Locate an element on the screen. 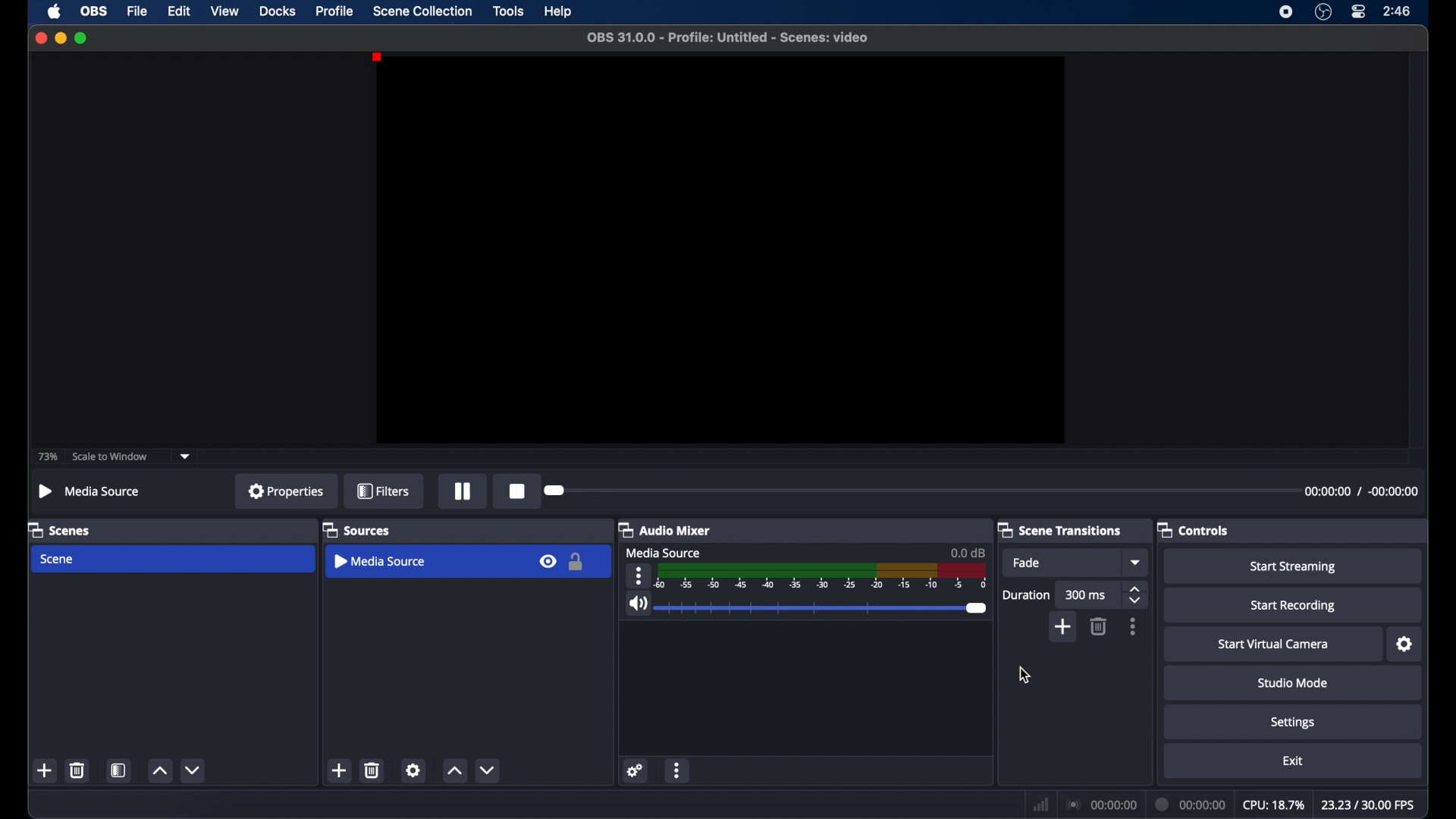 This screenshot has height=819, width=1456. tools is located at coordinates (509, 11).